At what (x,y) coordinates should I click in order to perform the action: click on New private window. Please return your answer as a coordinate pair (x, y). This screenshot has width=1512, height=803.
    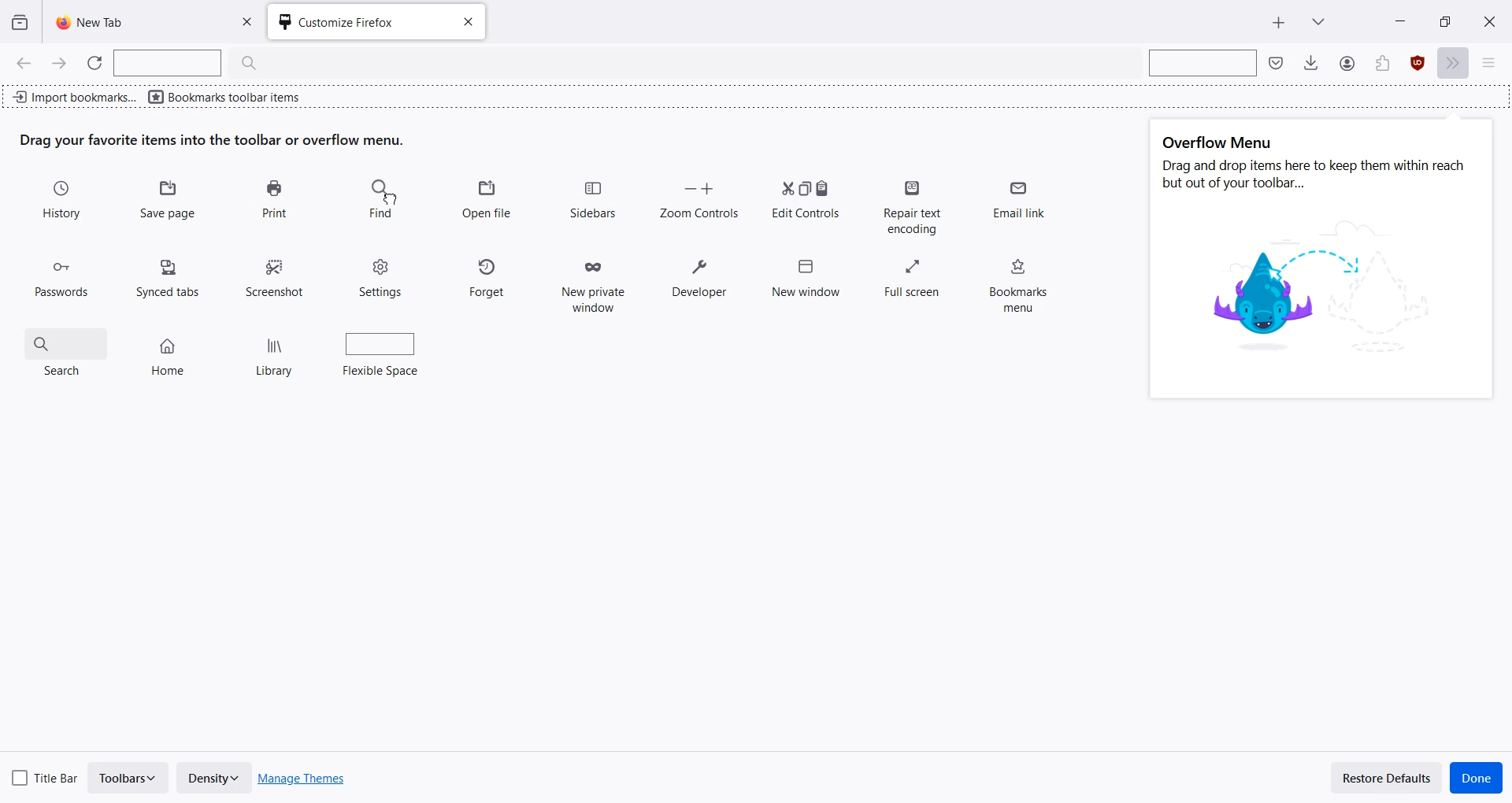
    Looking at the image, I should click on (593, 279).